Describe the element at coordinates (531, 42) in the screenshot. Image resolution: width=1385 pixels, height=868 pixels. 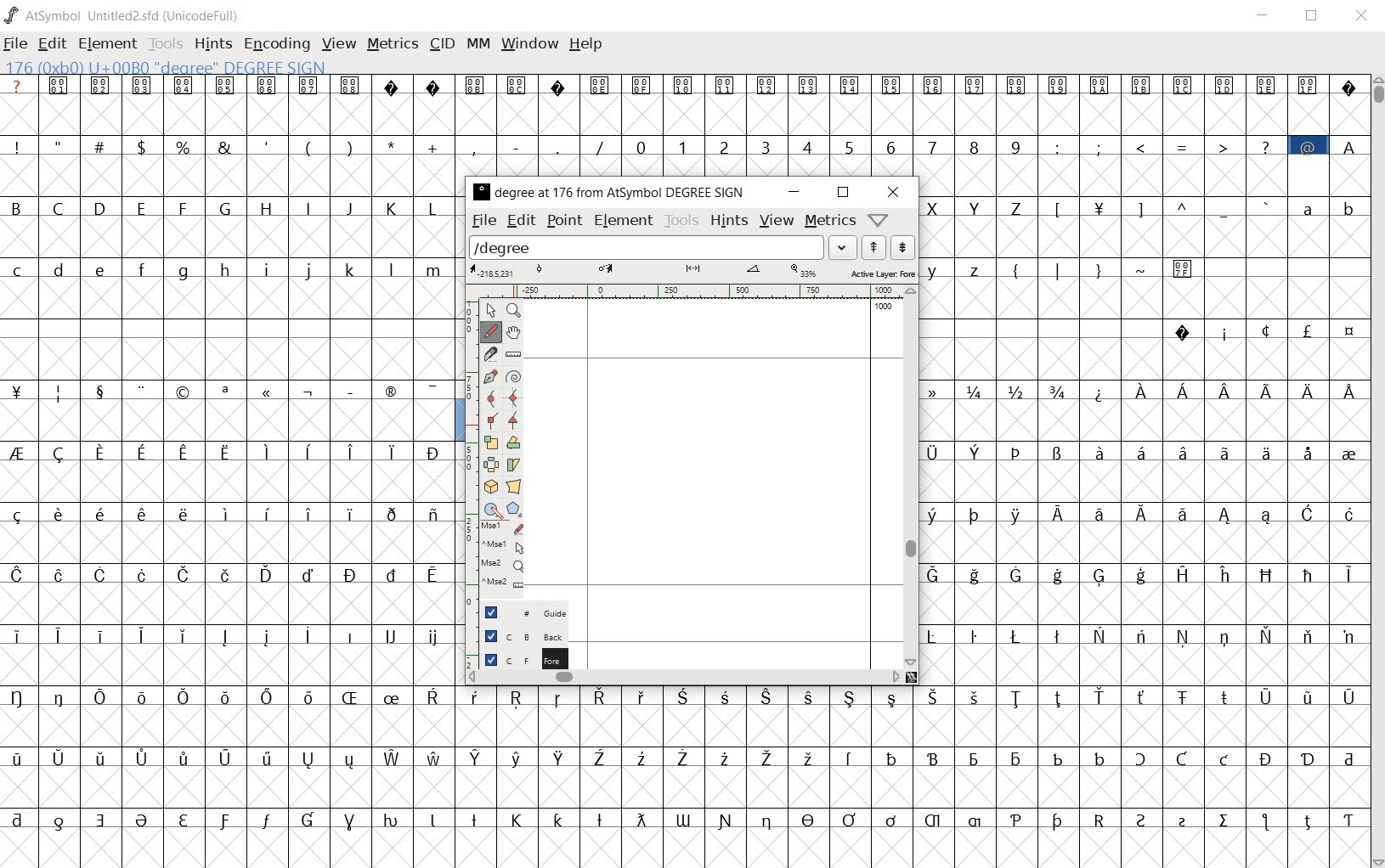
I see `window` at that location.